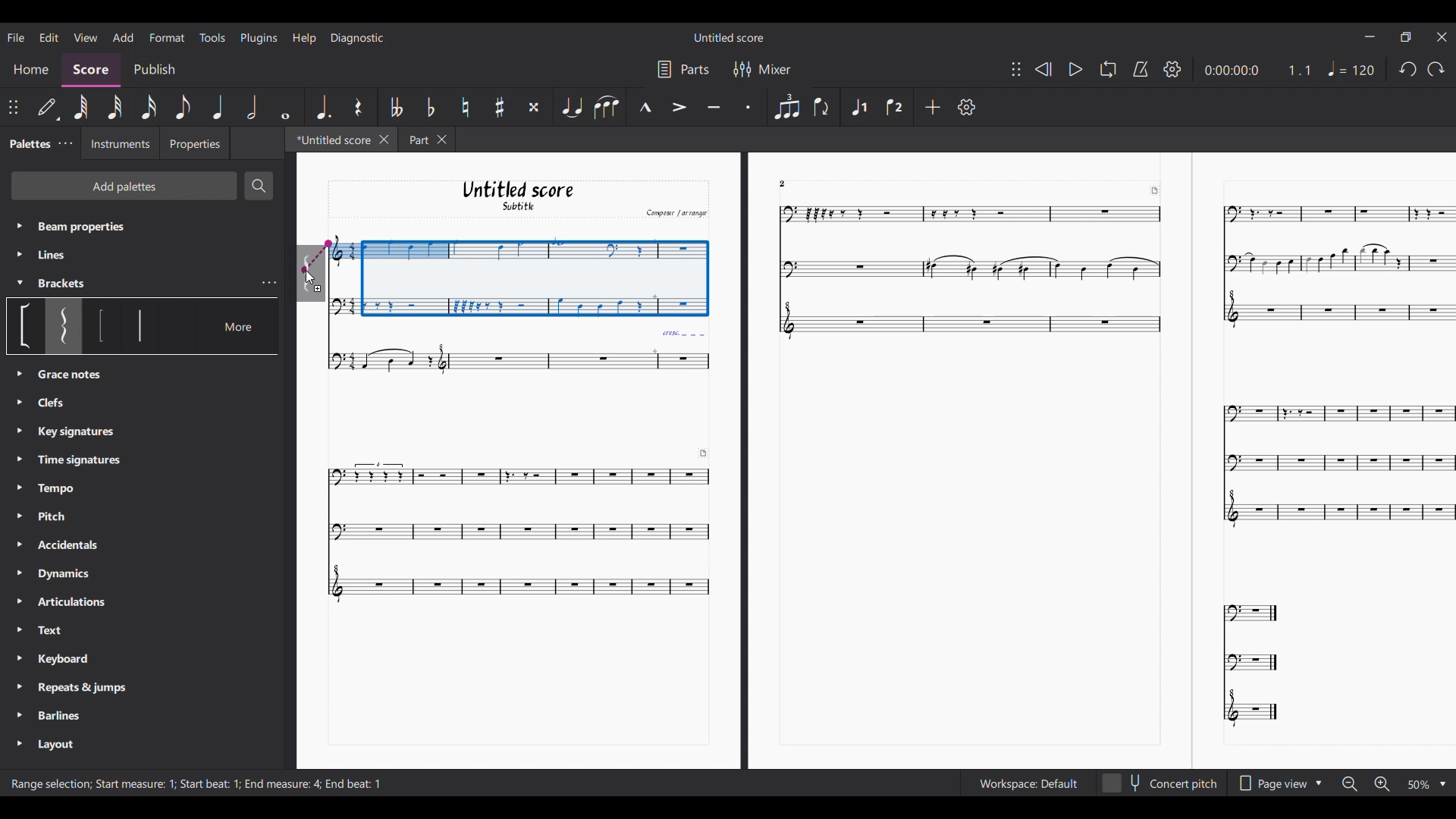 The image size is (1456, 819). Describe the element at coordinates (1442, 36) in the screenshot. I see `Close ` at that location.